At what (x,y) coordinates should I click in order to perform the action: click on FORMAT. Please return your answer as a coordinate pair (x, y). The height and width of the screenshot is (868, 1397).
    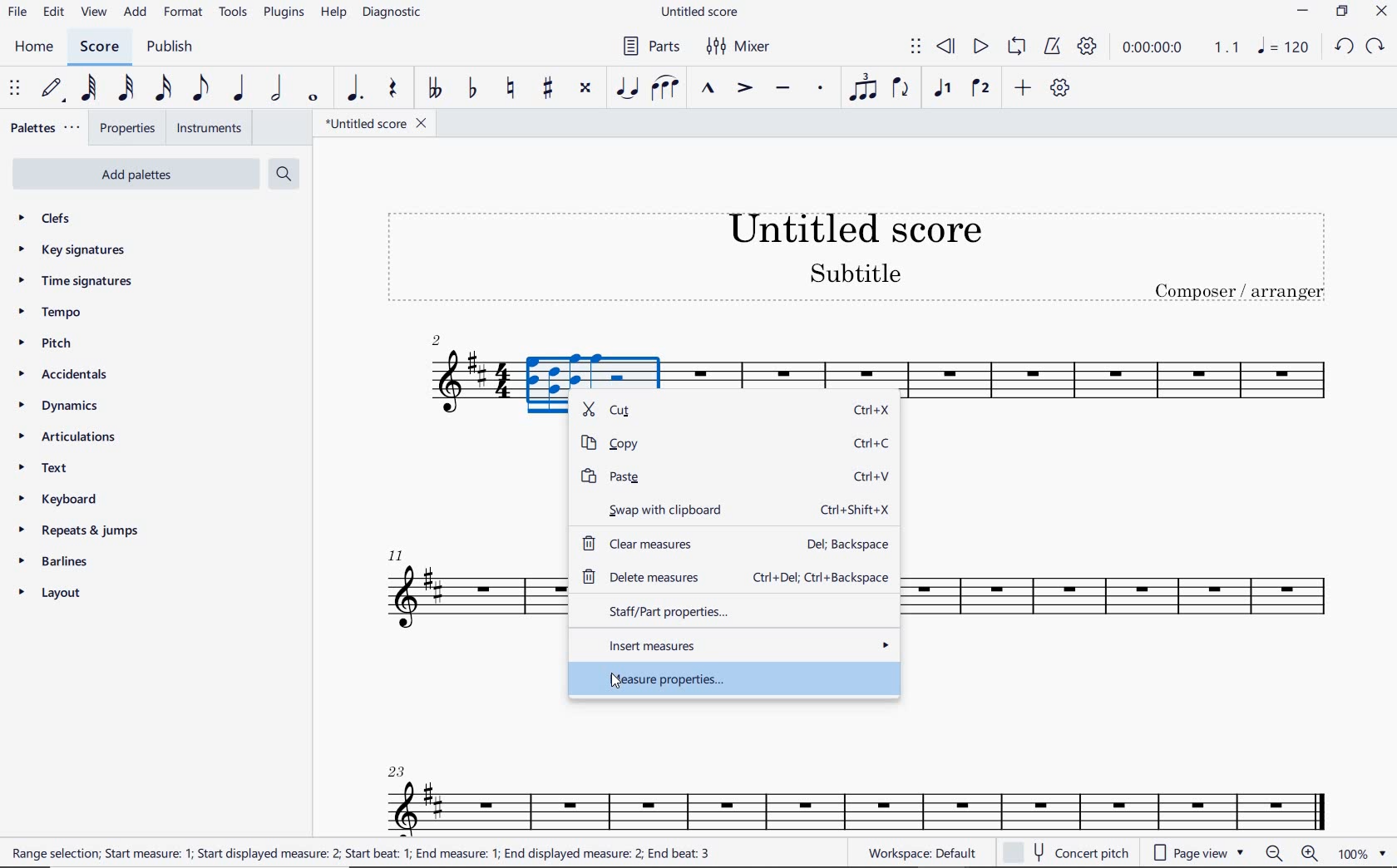
    Looking at the image, I should click on (185, 13).